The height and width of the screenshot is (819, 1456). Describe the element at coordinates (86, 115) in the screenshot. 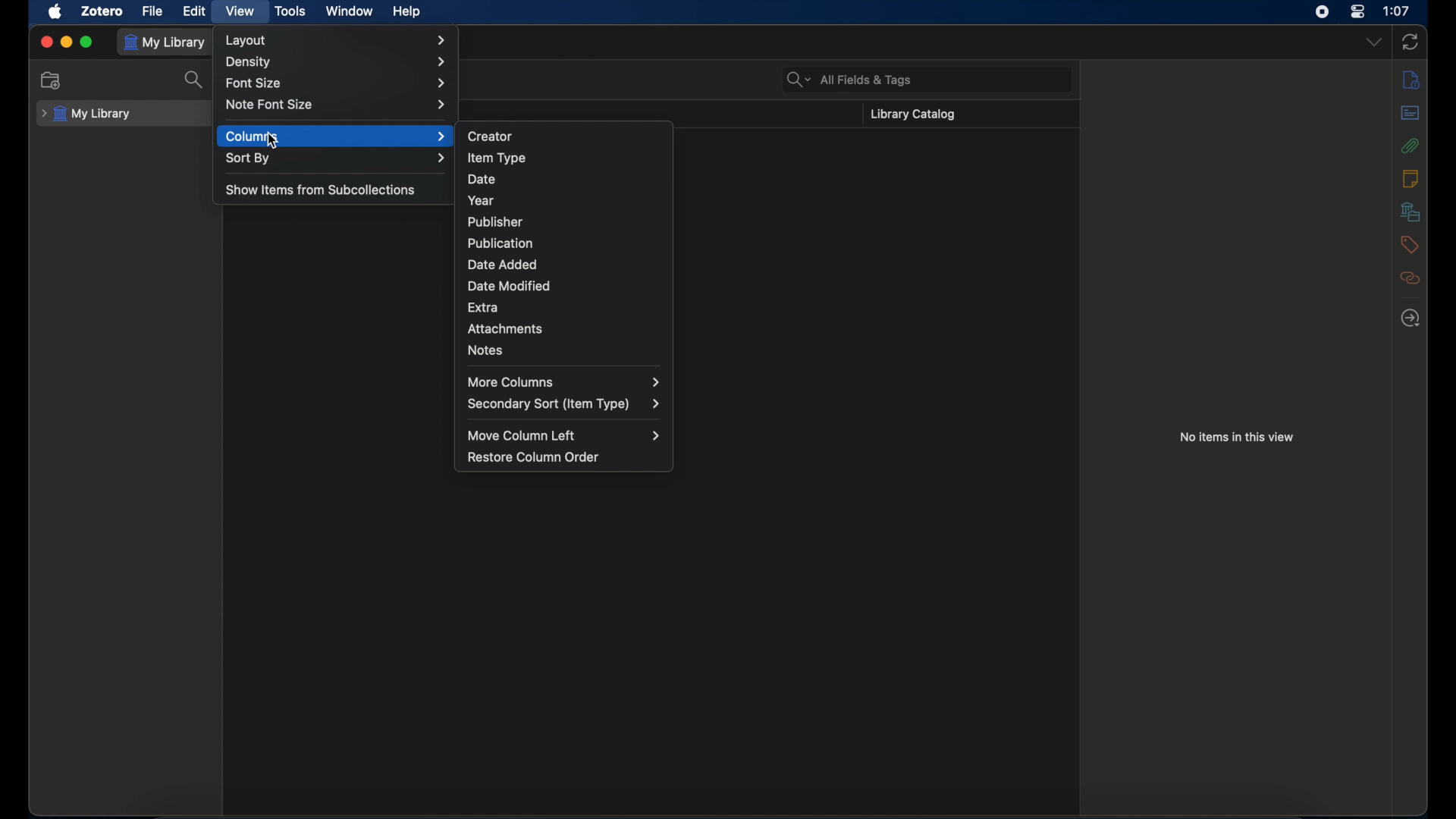

I see `my library` at that location.